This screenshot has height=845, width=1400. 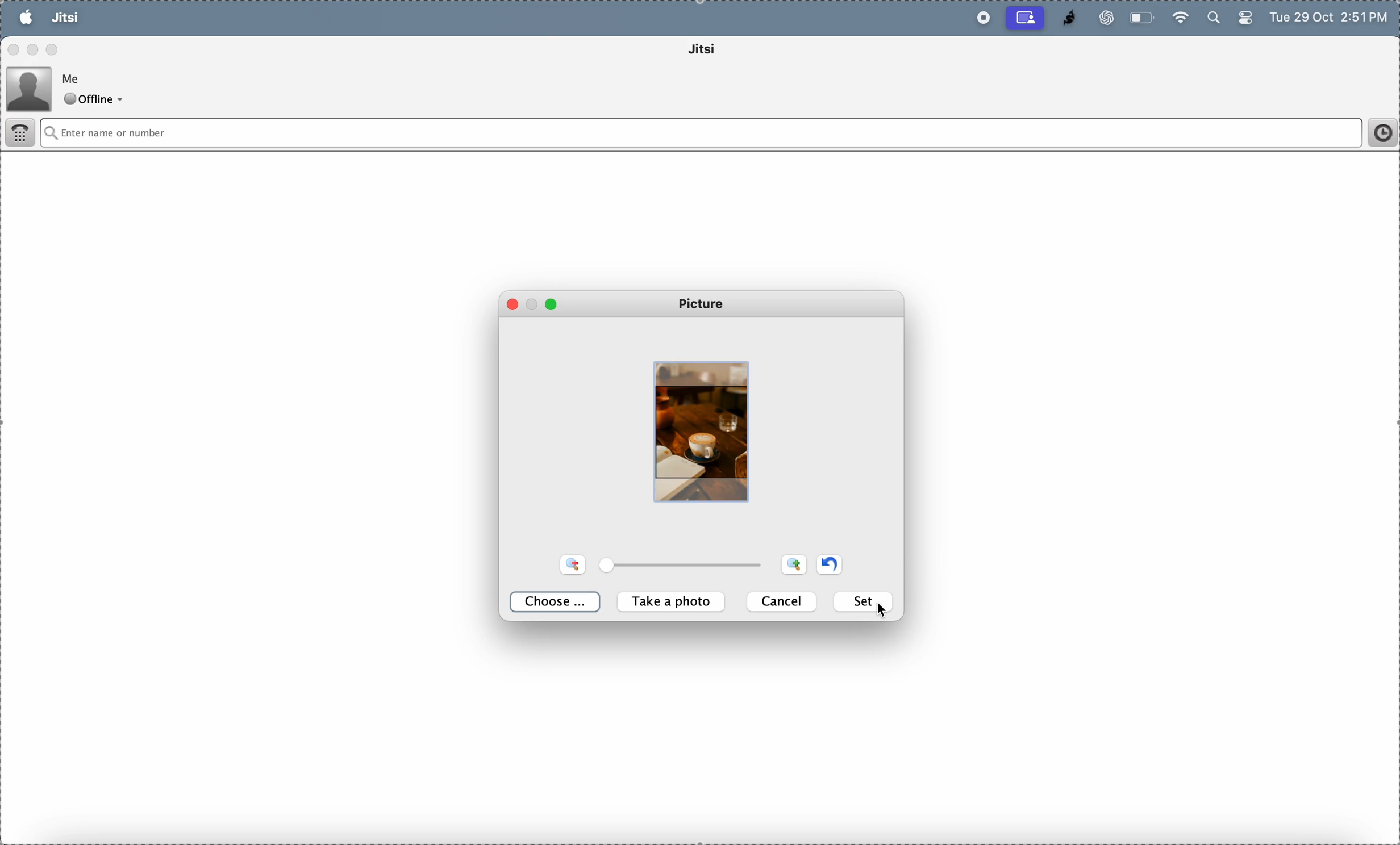 What do you see at coordinates (686, 566) in the screenshot?
I see `slider` at bounding box center [686, 566].